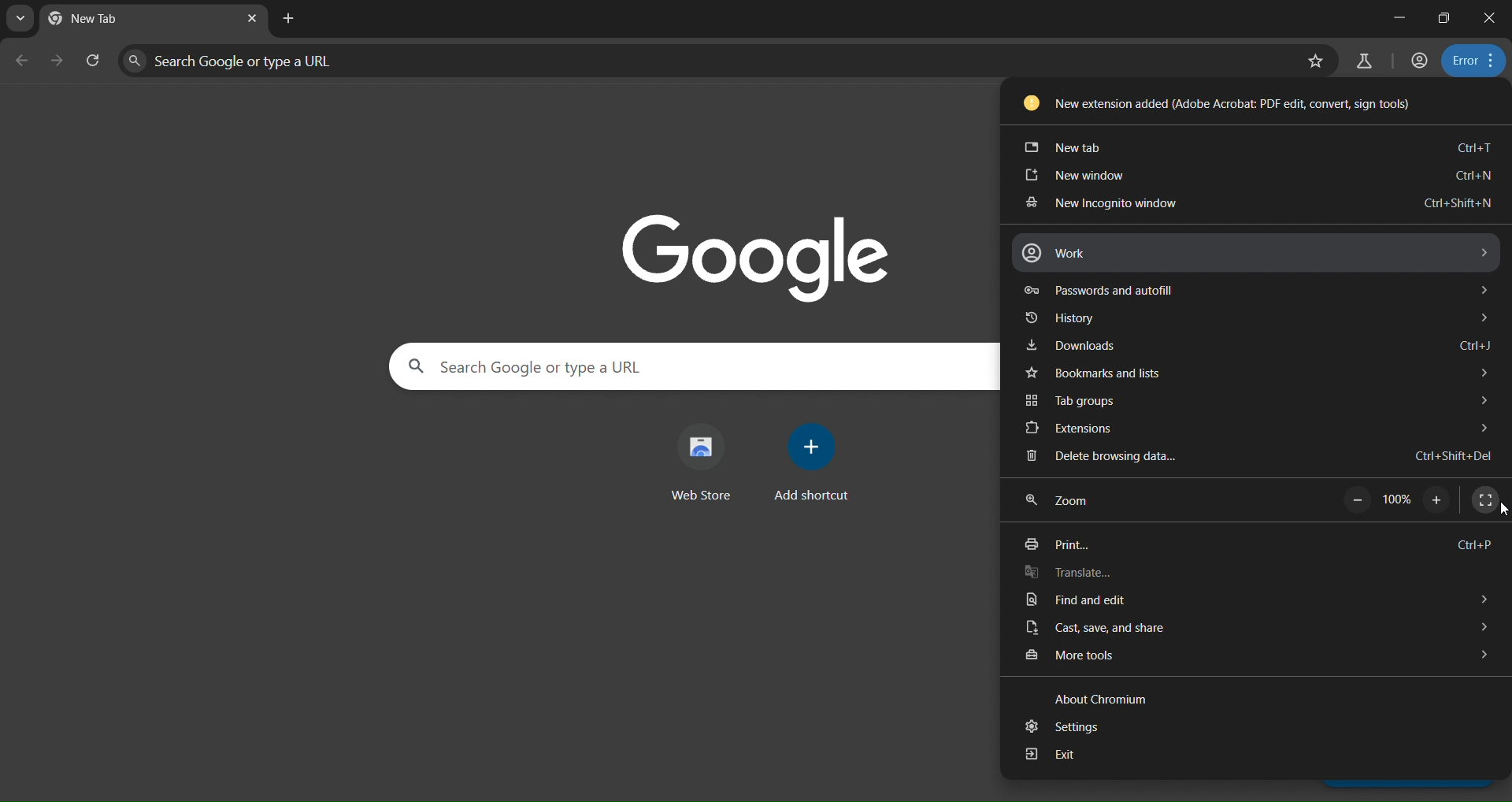 This screenshot has height=802, width=1512. I want to click on search  google or type a URL, so click(705, 61).